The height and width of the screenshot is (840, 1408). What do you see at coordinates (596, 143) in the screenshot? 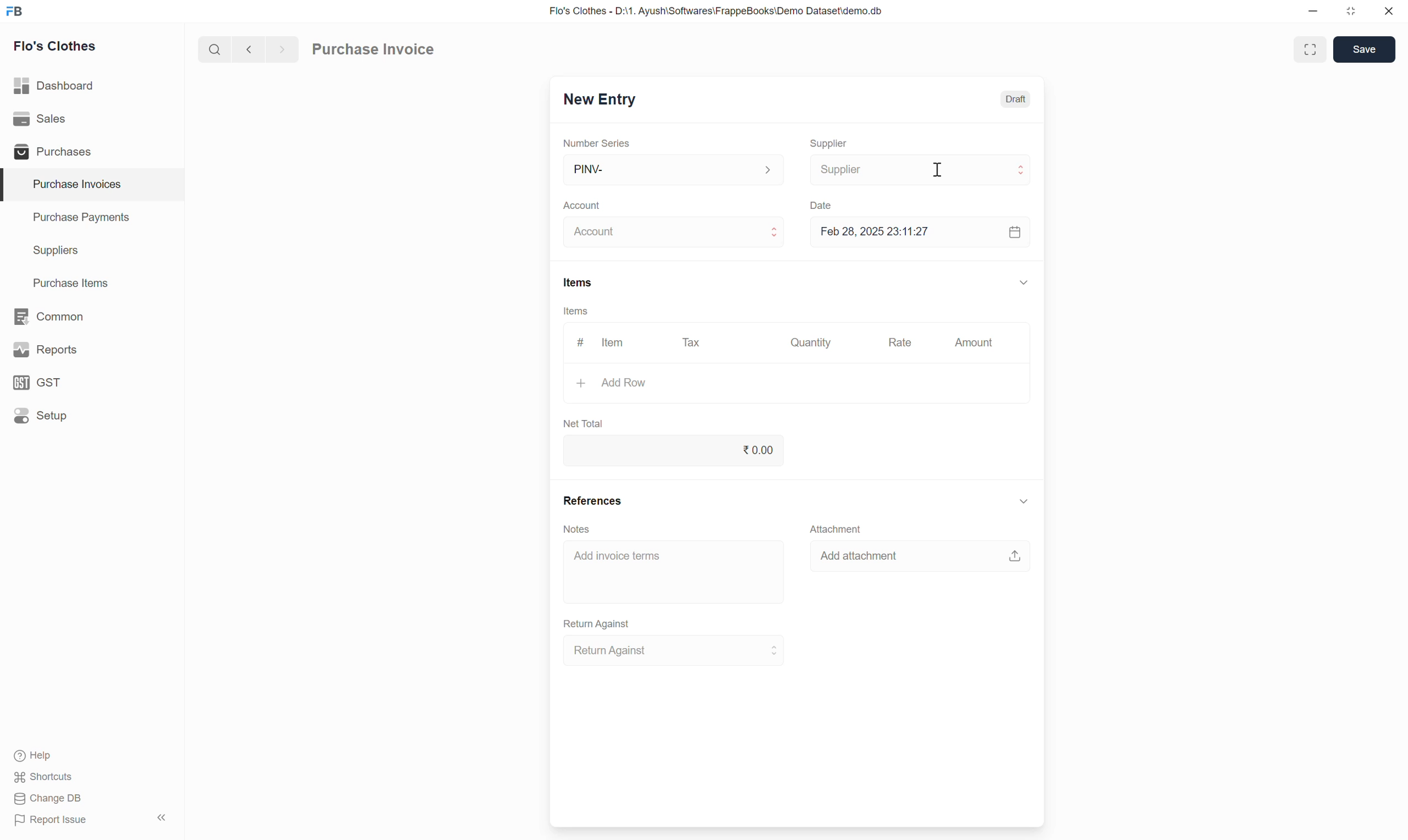
I see `Number Series` at bounding box center [596, 143].